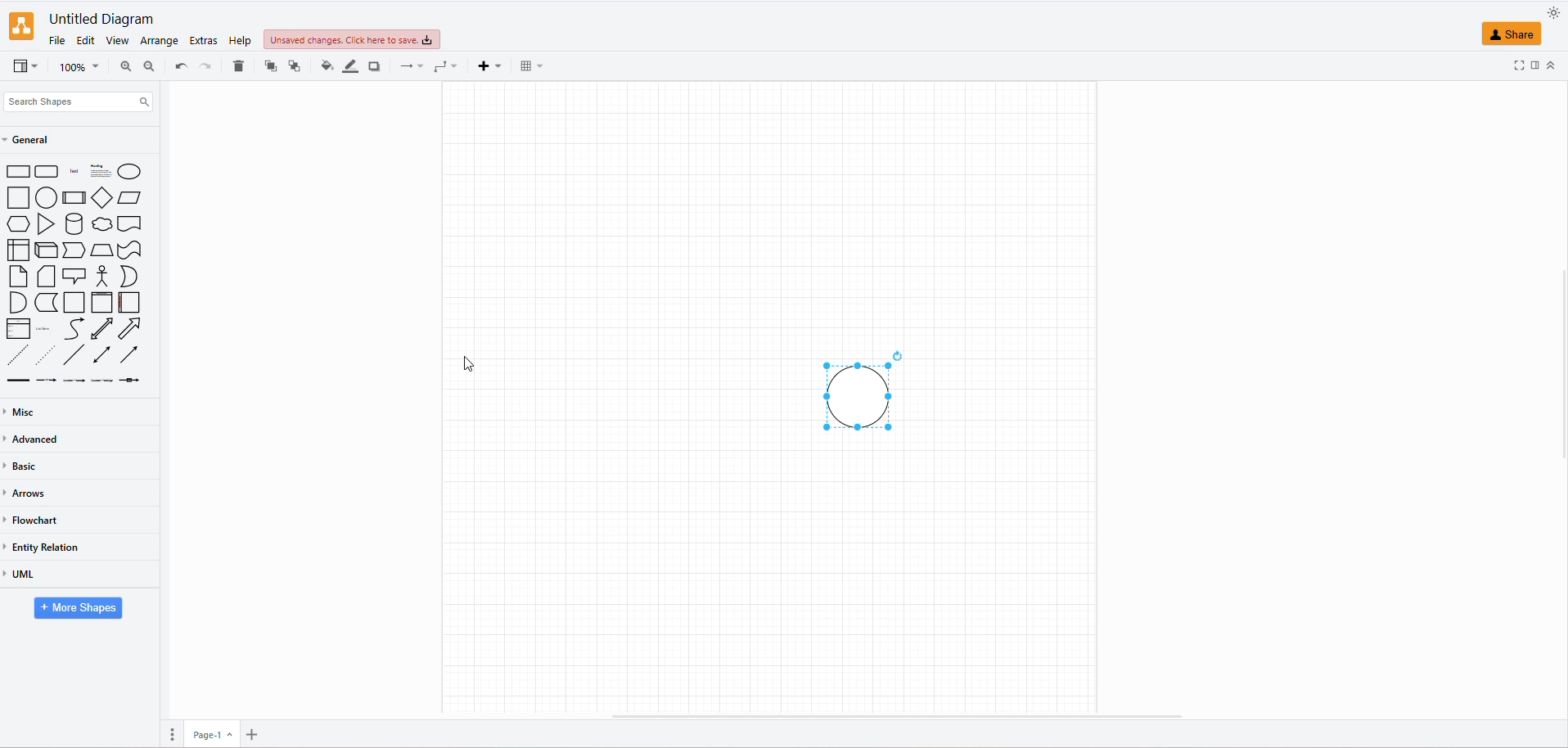 Image resolution: width=1568 pixels, height=748 pixels. I want to click on HELP, so click(237, 42).